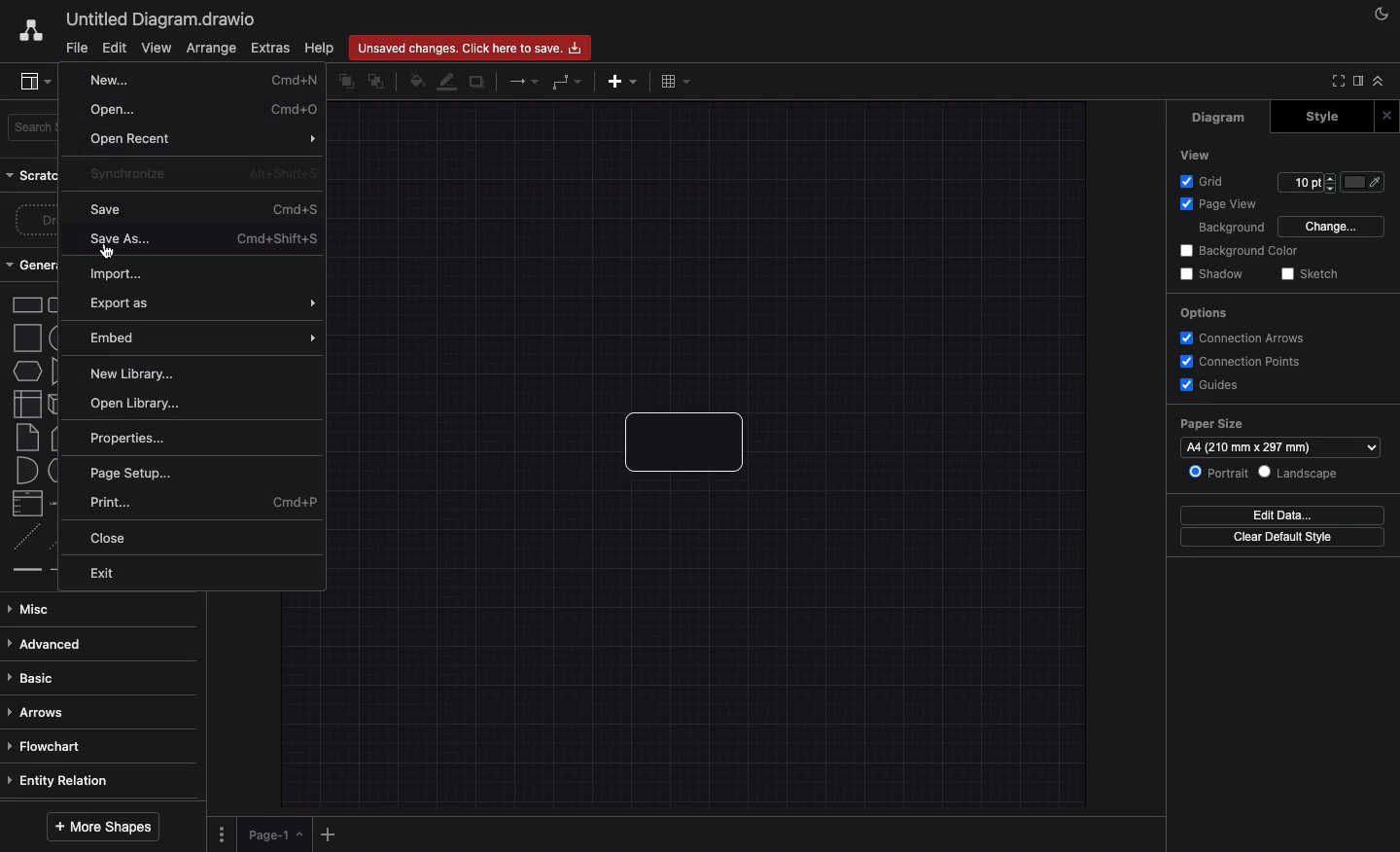 This screenshot has width=1400, height=852. What do you see at coordinates (211, 50) in the screenshot?
I see `Arrange` at bounding box center [211, 50].